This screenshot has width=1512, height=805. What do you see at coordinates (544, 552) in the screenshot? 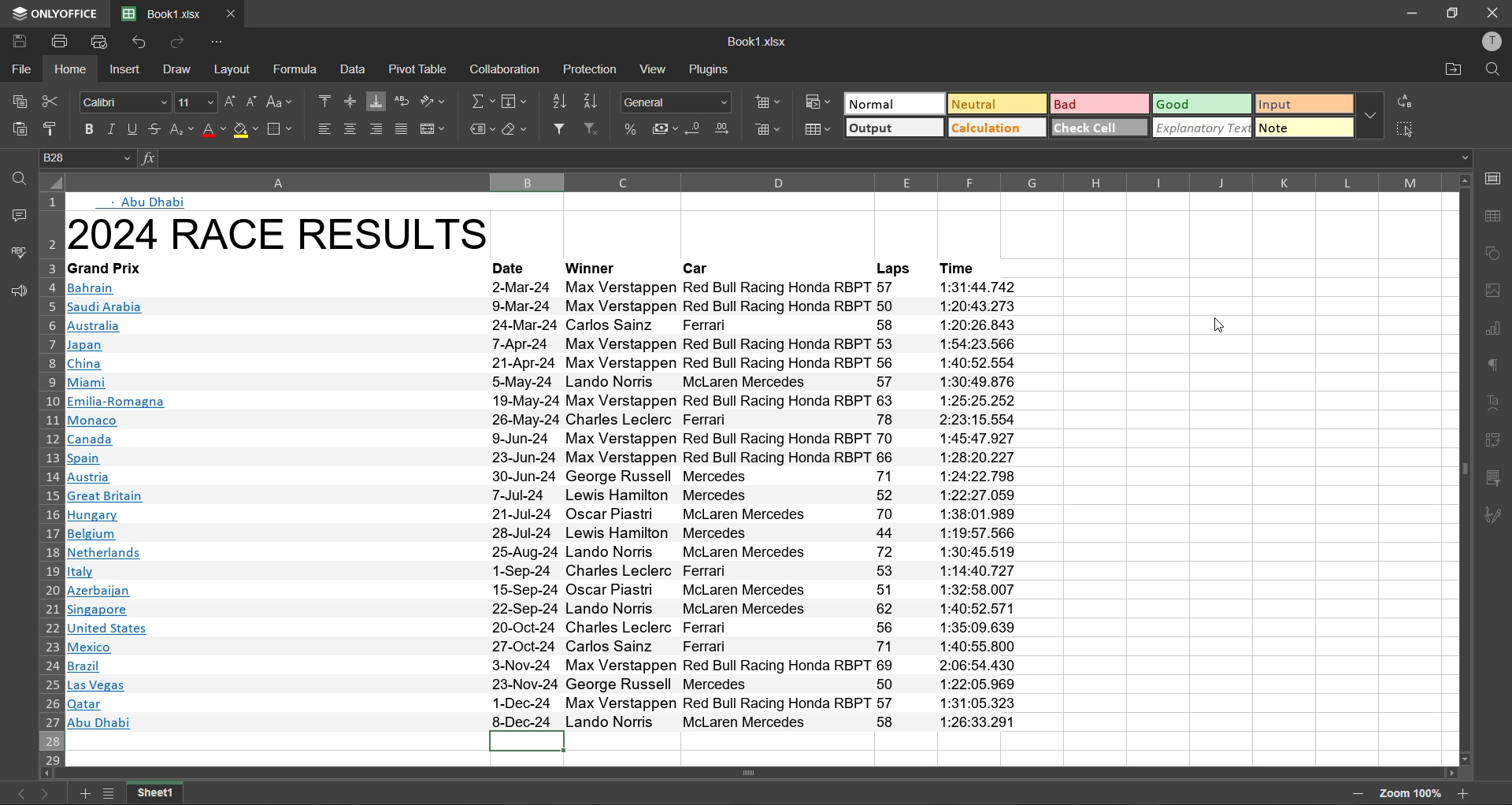
I see `INetherlands 25-Aug-24 Lando Norris McLaren Mercedes 72 1:30:45.519` at bounding box center [544, 552].